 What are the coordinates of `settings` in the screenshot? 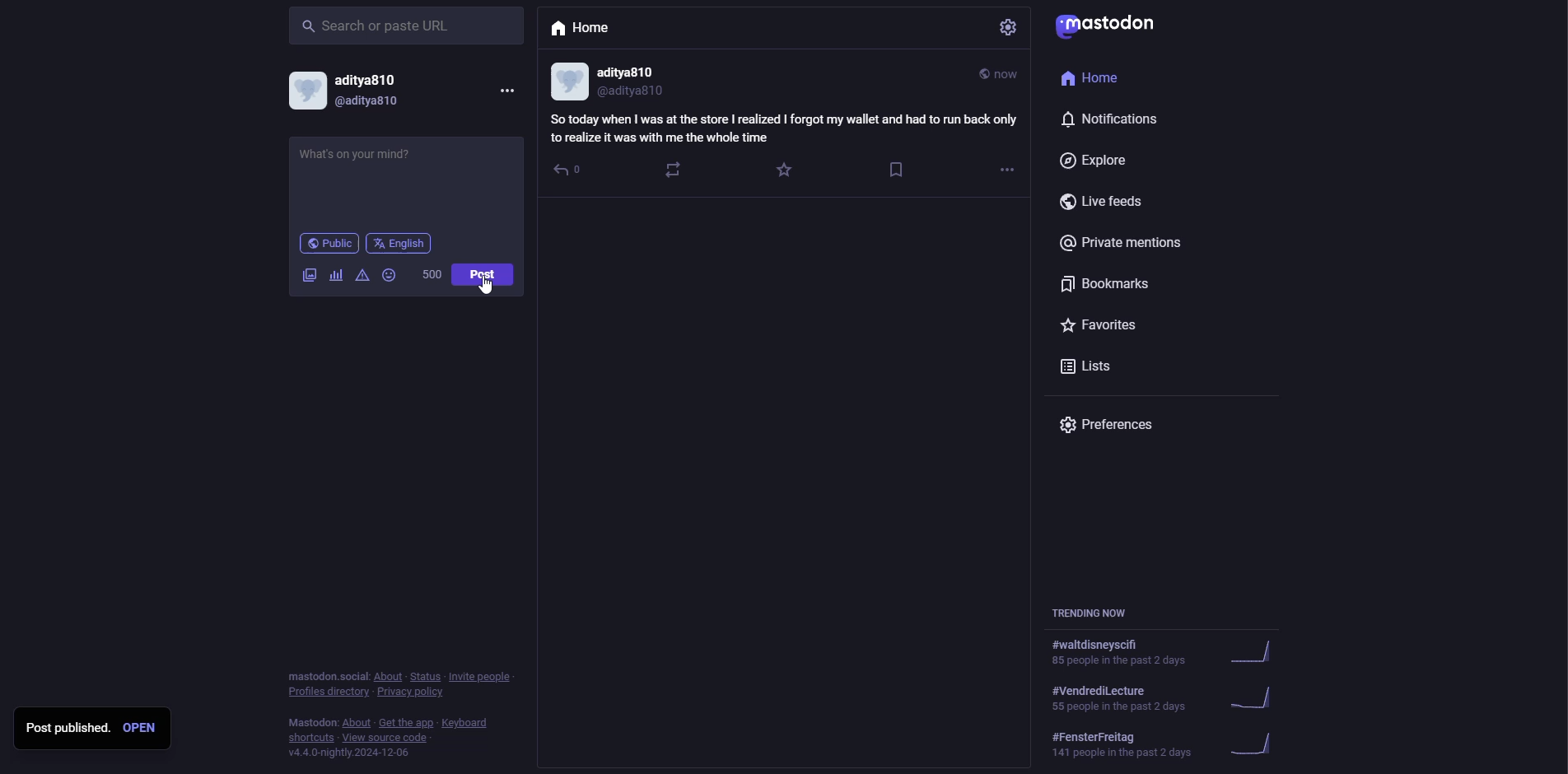 It's located at (1010, 30).